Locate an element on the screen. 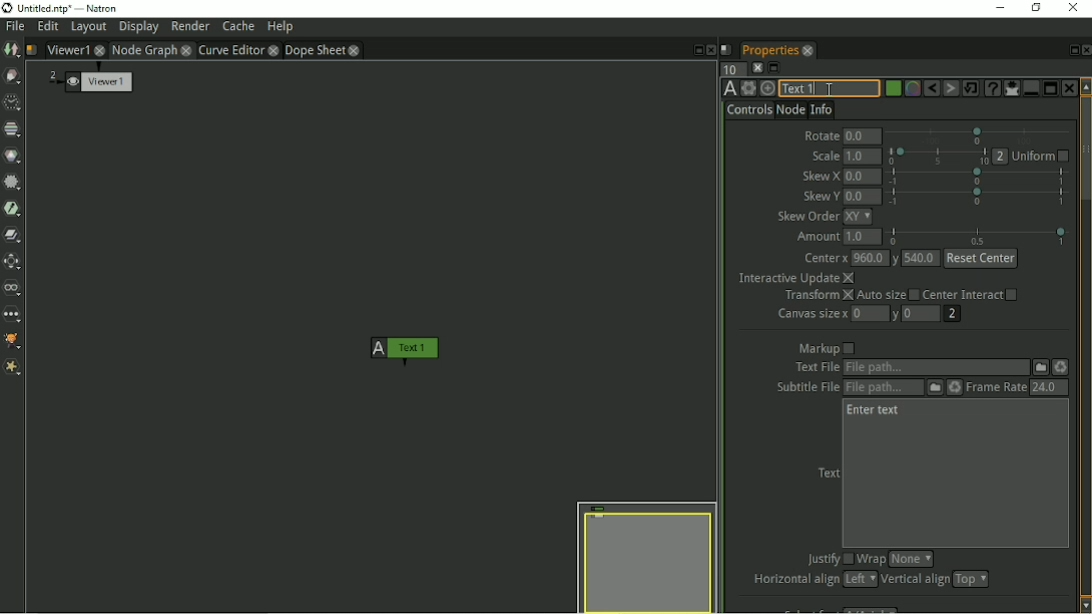 Image resolution: width=1092 pixels, height=614 pixels. Redo is located at coordinates (951, 88).